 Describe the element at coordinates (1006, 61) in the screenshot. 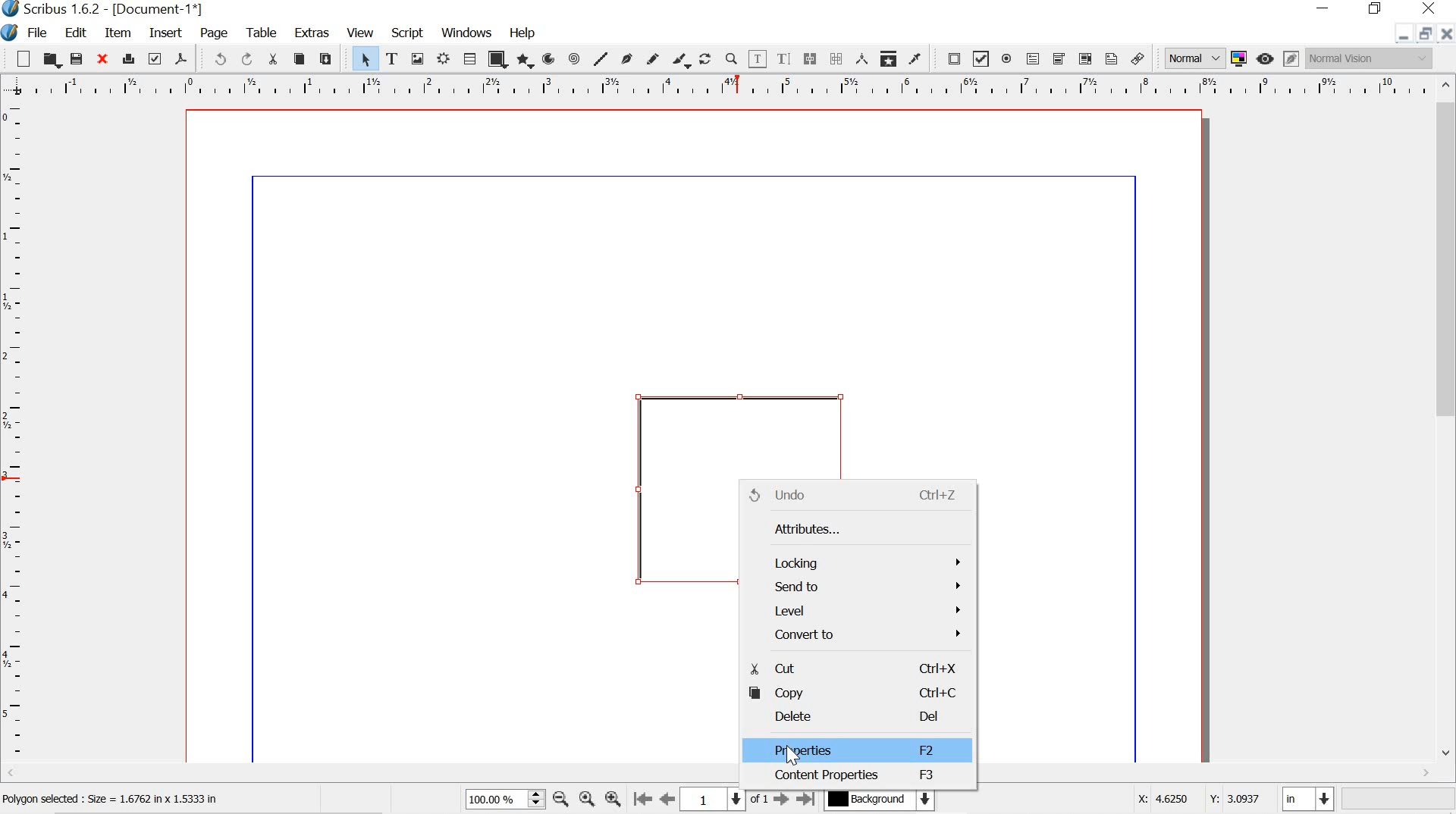

I see `pdf radio button` at that location.